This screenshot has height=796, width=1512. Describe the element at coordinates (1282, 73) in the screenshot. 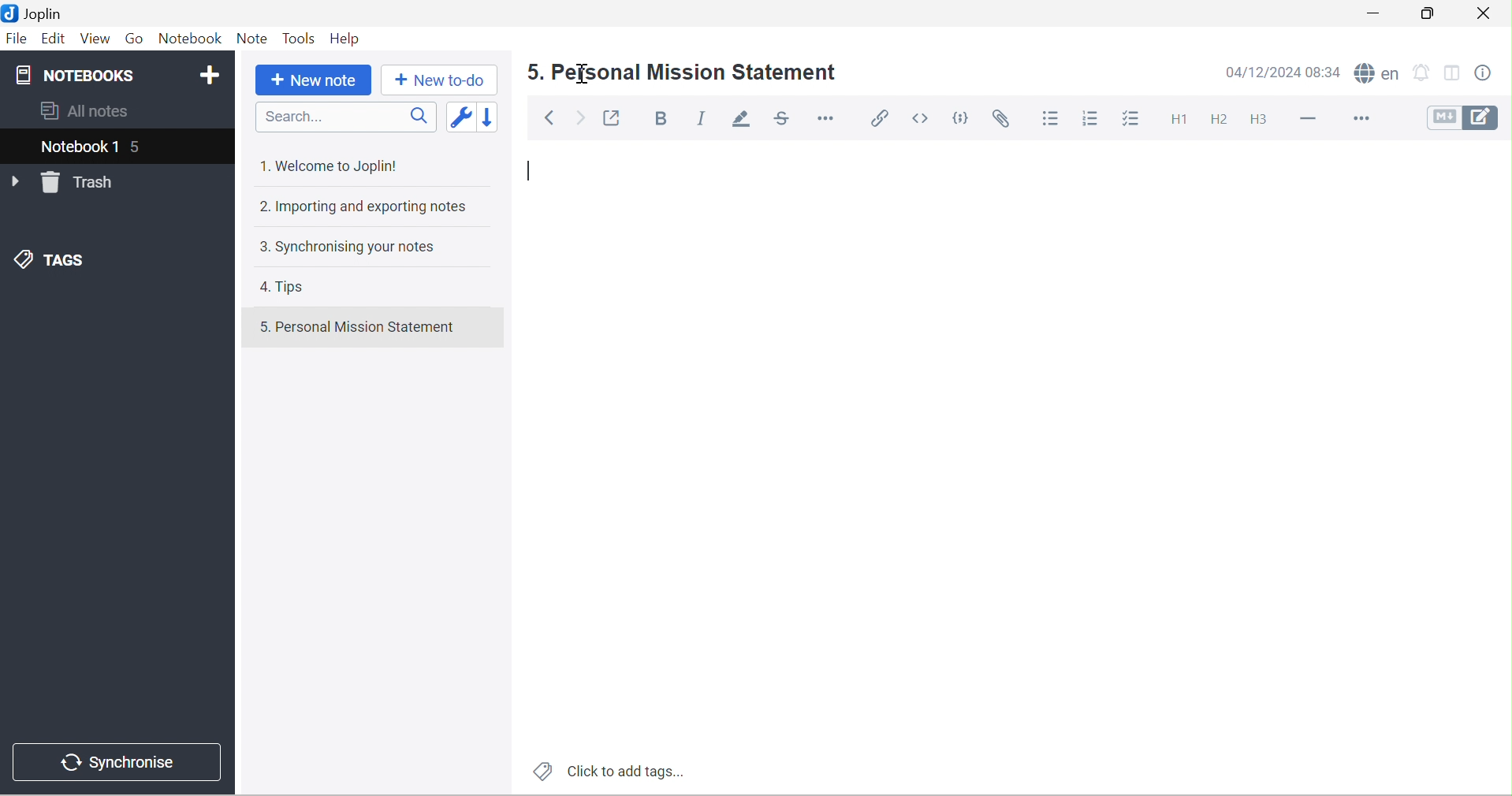

I see `14/12/2024 08:33` at that location.